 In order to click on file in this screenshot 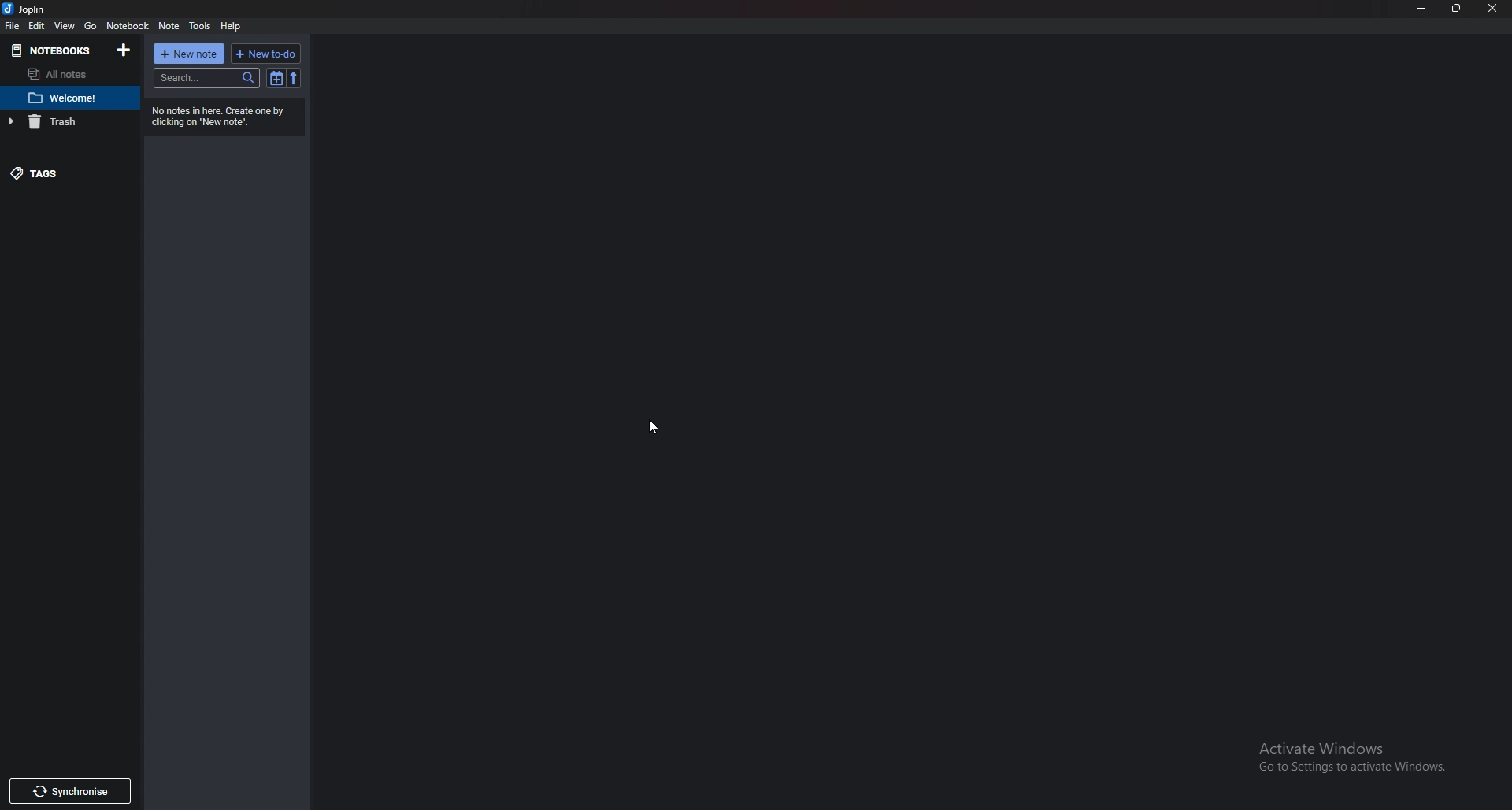, I will do `click(14, 25)`.